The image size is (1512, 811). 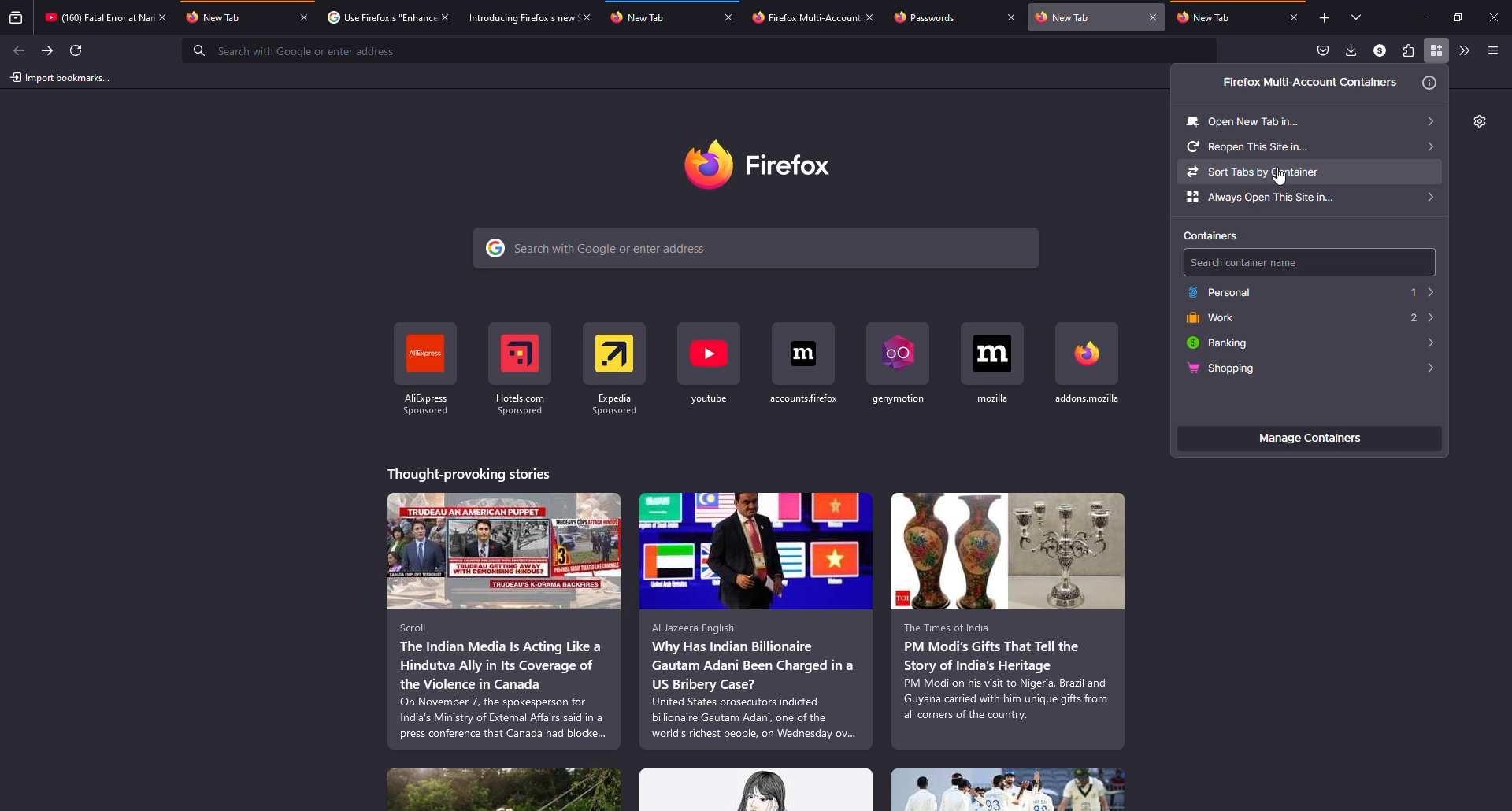 What do you see at coordinates (1417, 17) in the screenshot?
I see `minimize` at bounding box center [1417, 17].